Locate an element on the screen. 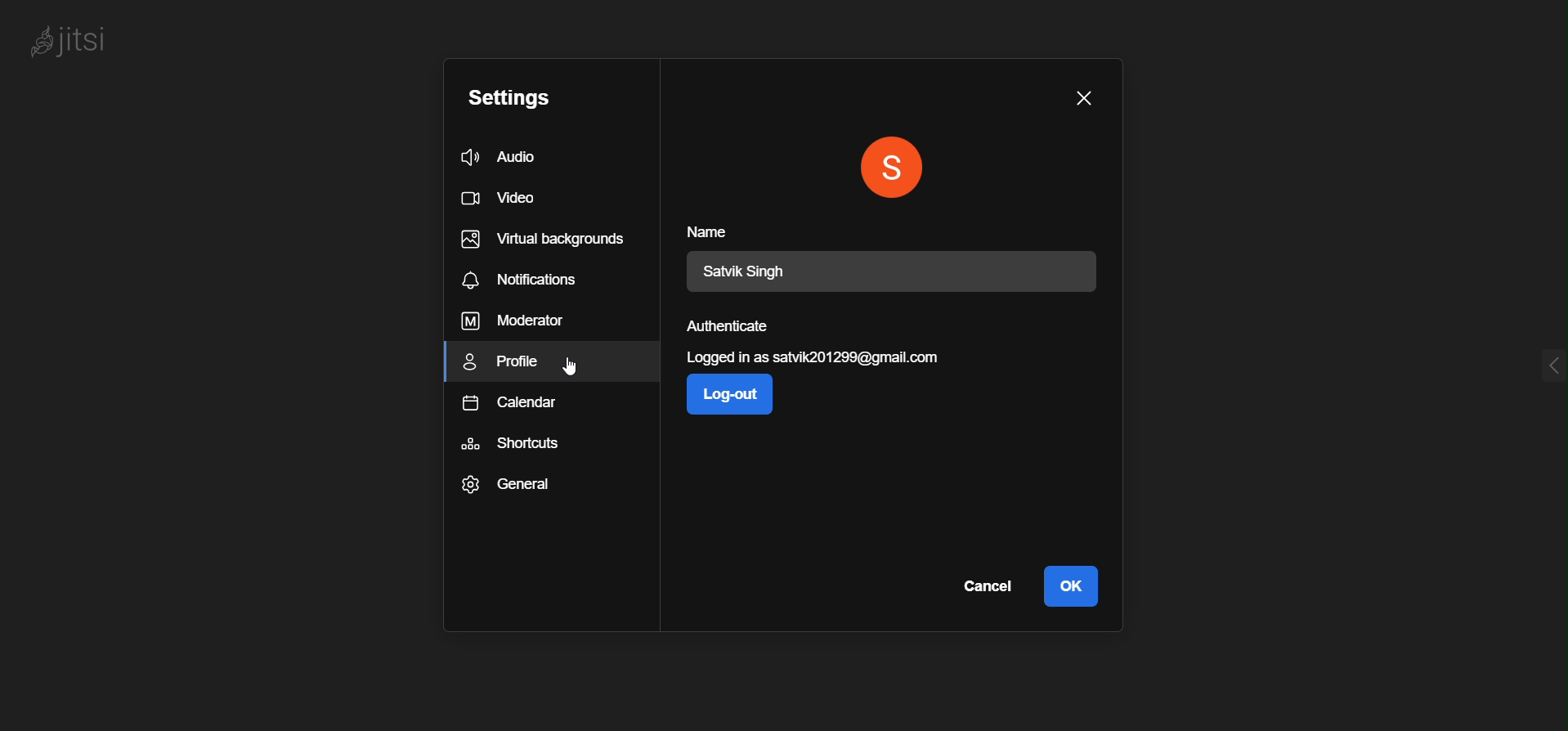  display picture is located at coordinates (894, 168).